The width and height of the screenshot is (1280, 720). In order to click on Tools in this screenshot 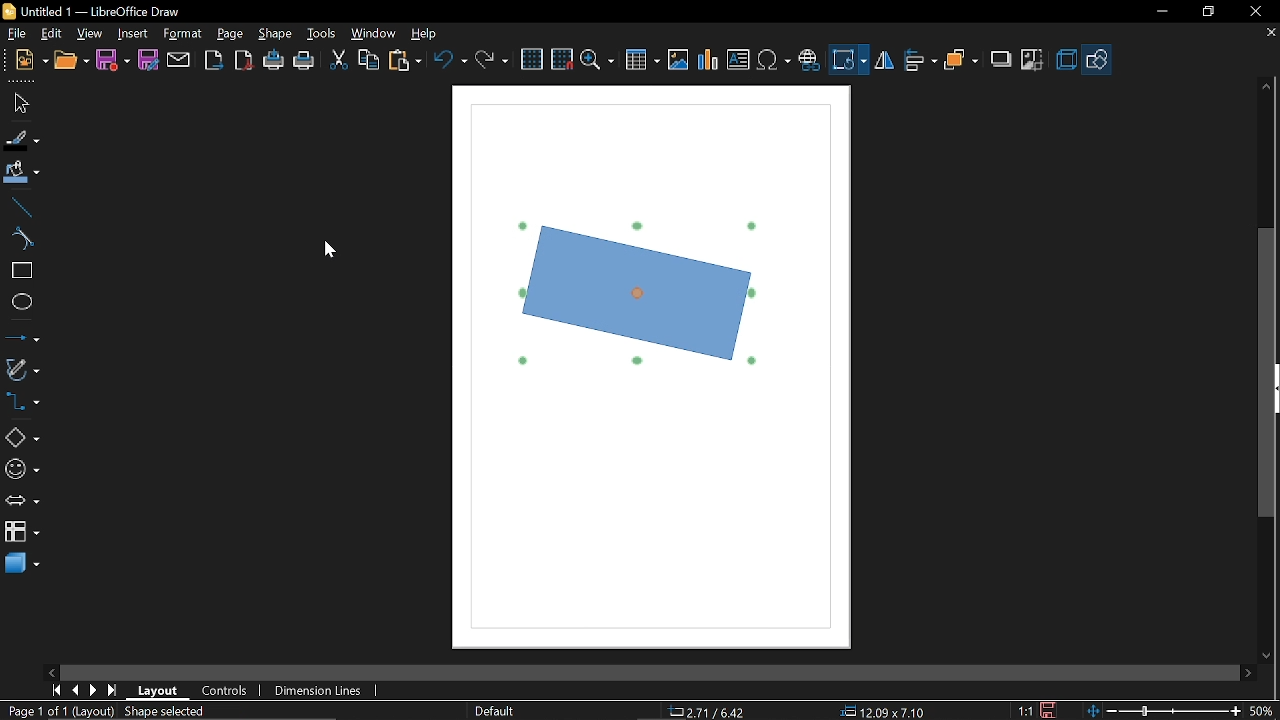, I will do `click(320, 35)`.